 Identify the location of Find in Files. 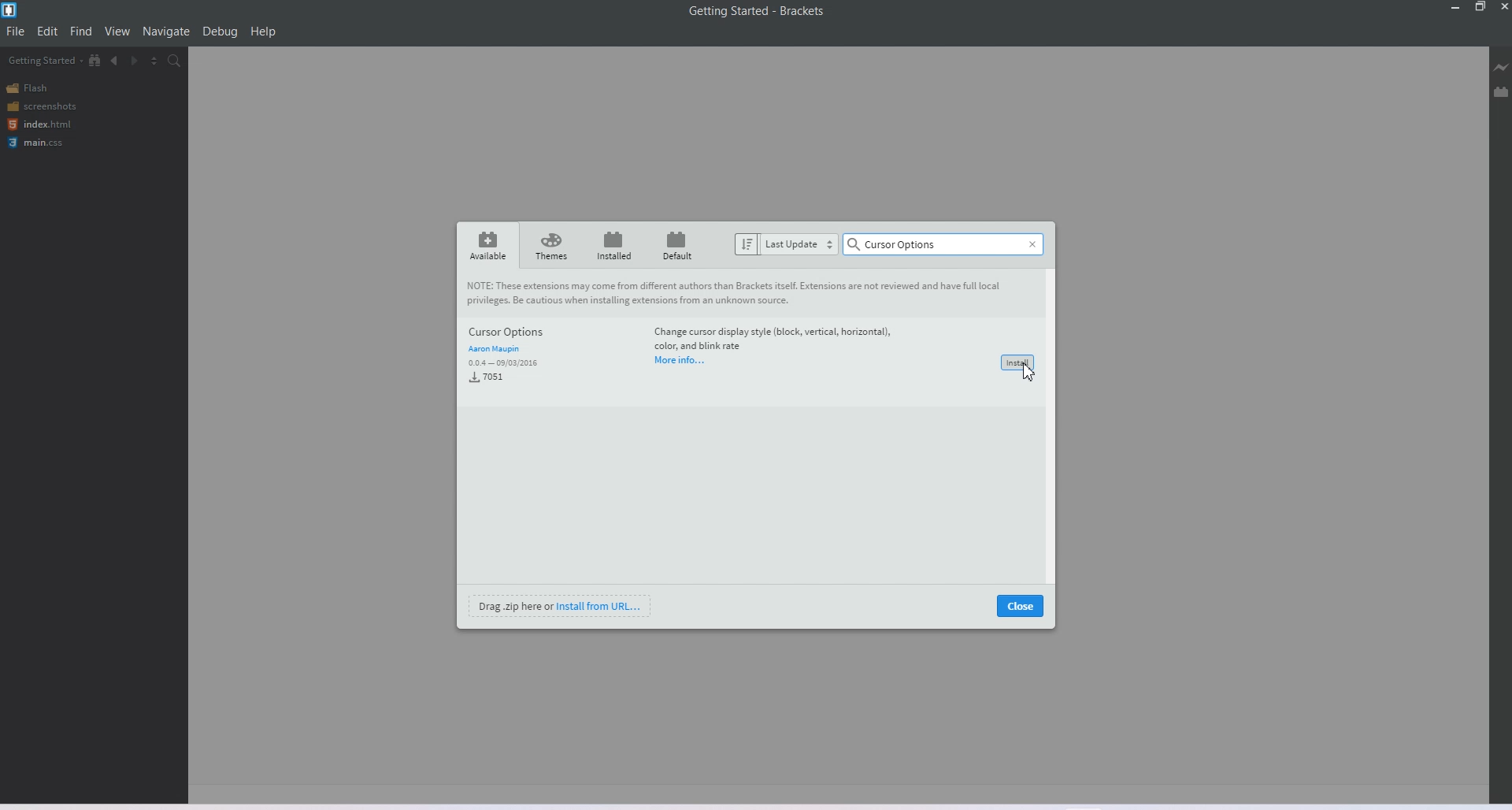
(175, 61).